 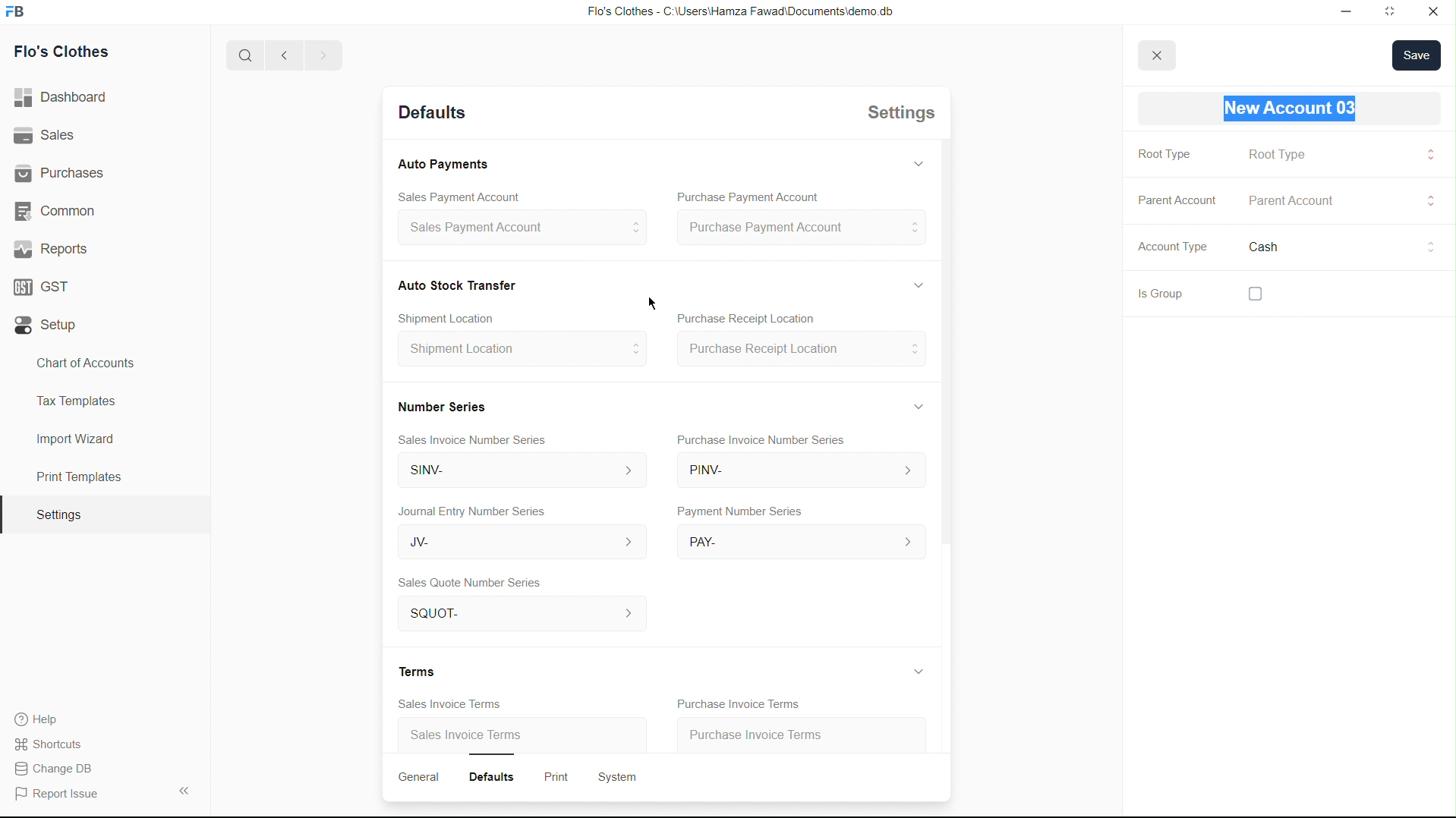 I want to click on Setup, so click(x=49, y=326).